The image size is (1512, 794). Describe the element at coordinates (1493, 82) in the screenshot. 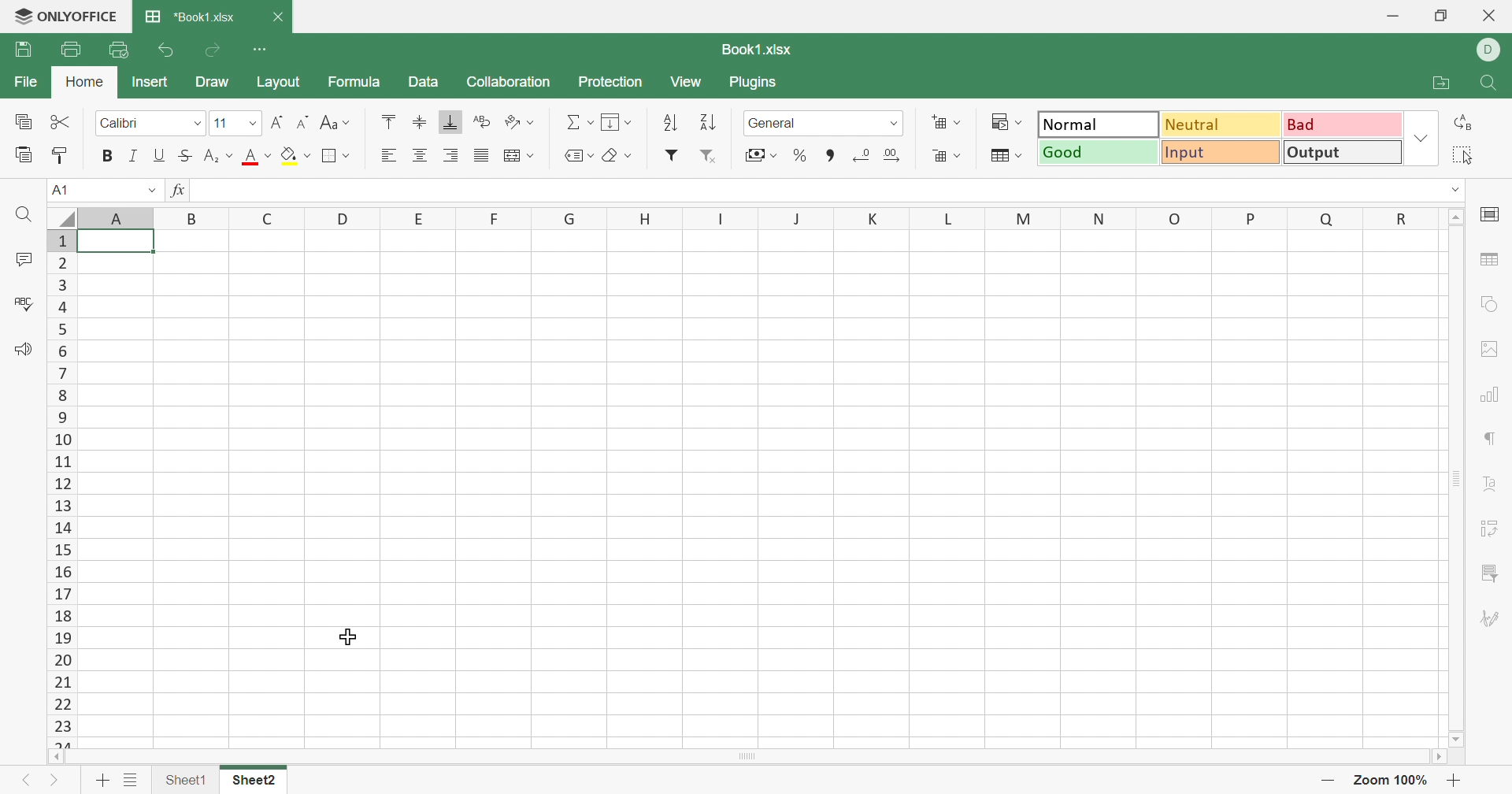

I see `Find` at that location.